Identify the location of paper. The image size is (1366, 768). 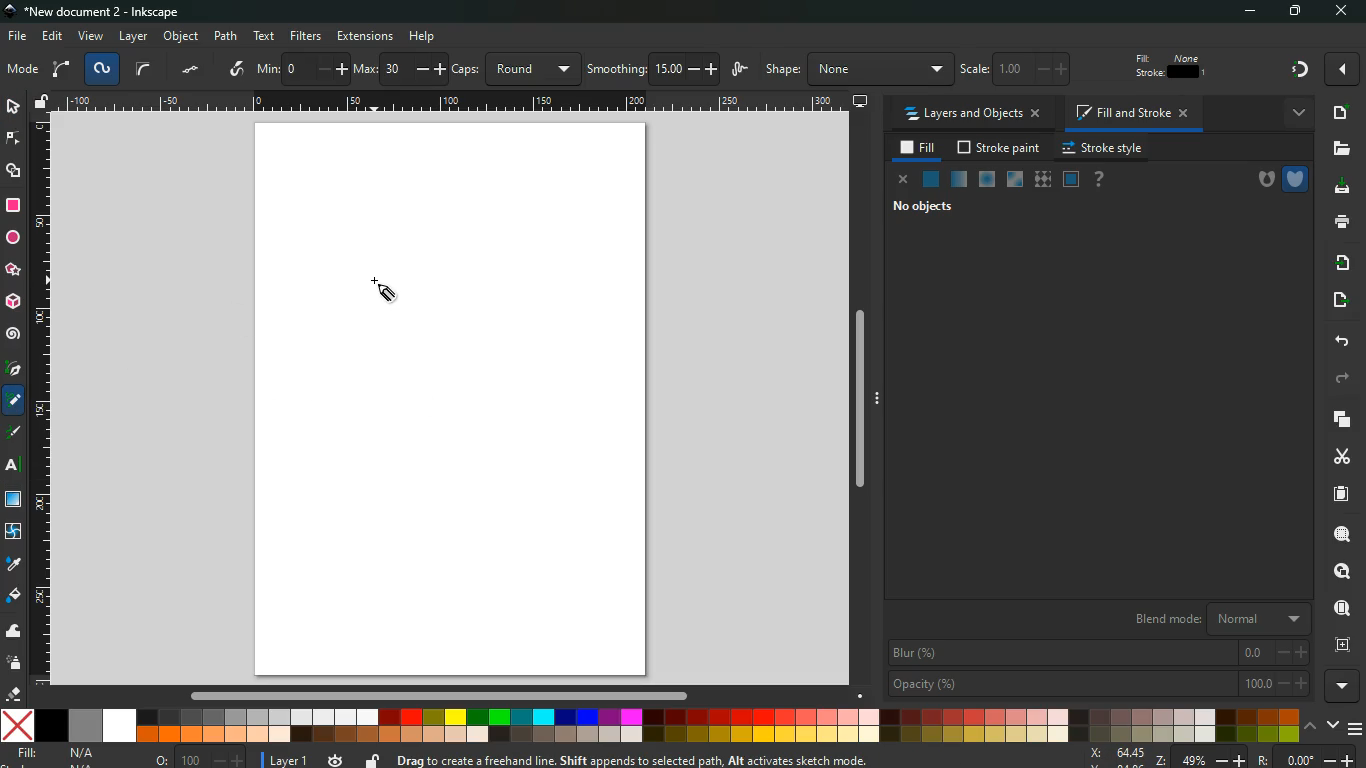
(1340, 494).